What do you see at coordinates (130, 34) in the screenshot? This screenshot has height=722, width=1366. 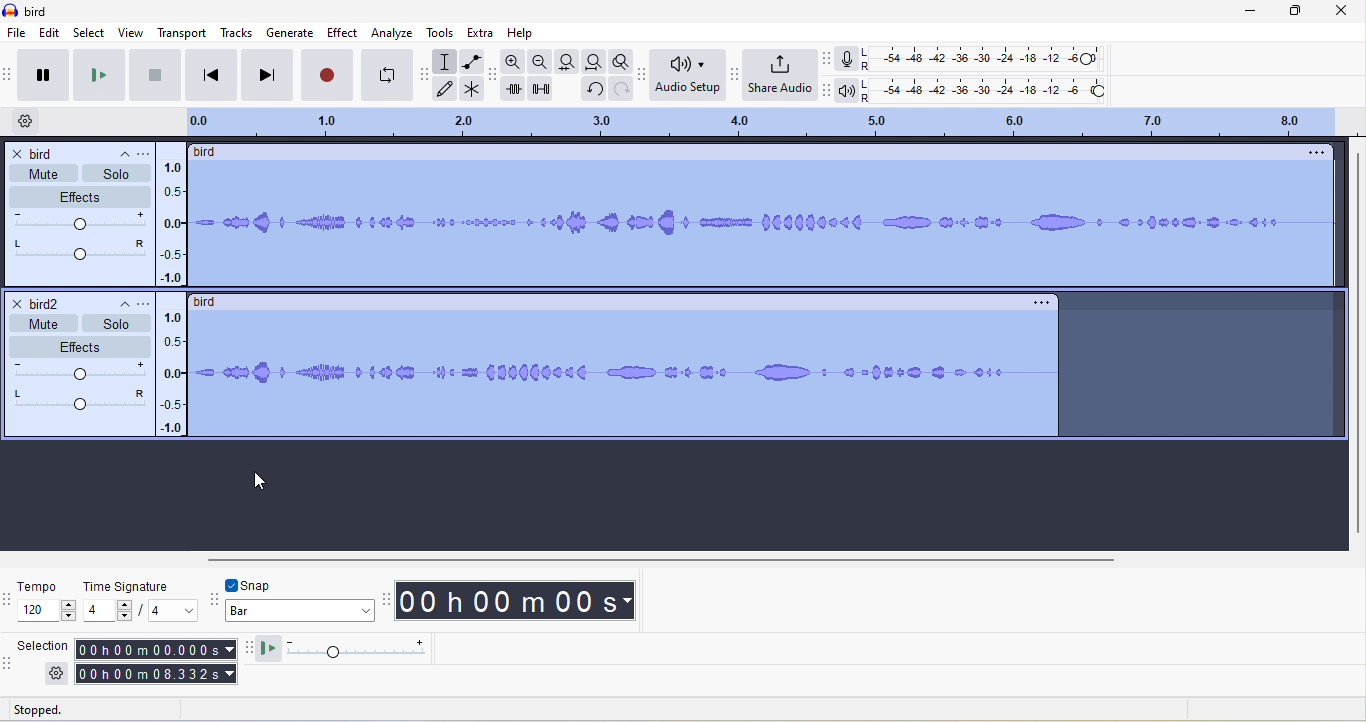 I see `view` at bounding box center [130, 34].